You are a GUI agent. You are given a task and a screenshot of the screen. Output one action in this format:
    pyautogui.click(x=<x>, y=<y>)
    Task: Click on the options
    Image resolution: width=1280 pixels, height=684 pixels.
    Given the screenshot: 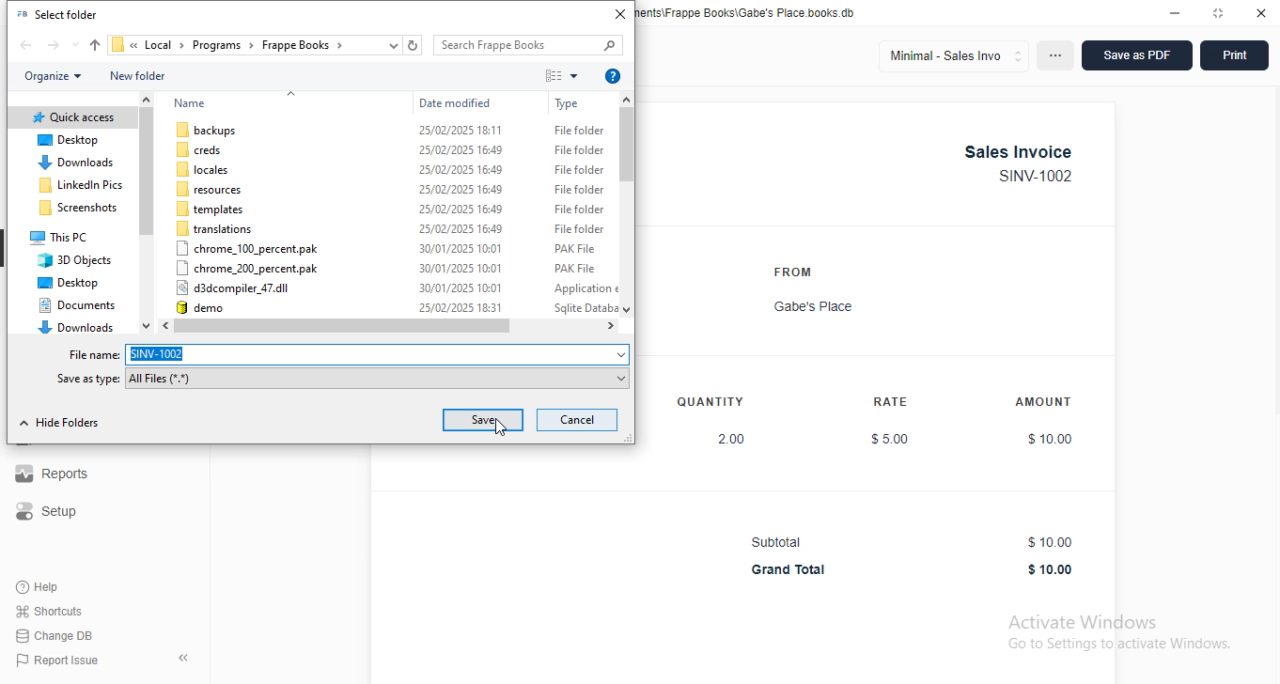 What is the action you would take?
    pyautogui.click(x=1055, y=55)
    